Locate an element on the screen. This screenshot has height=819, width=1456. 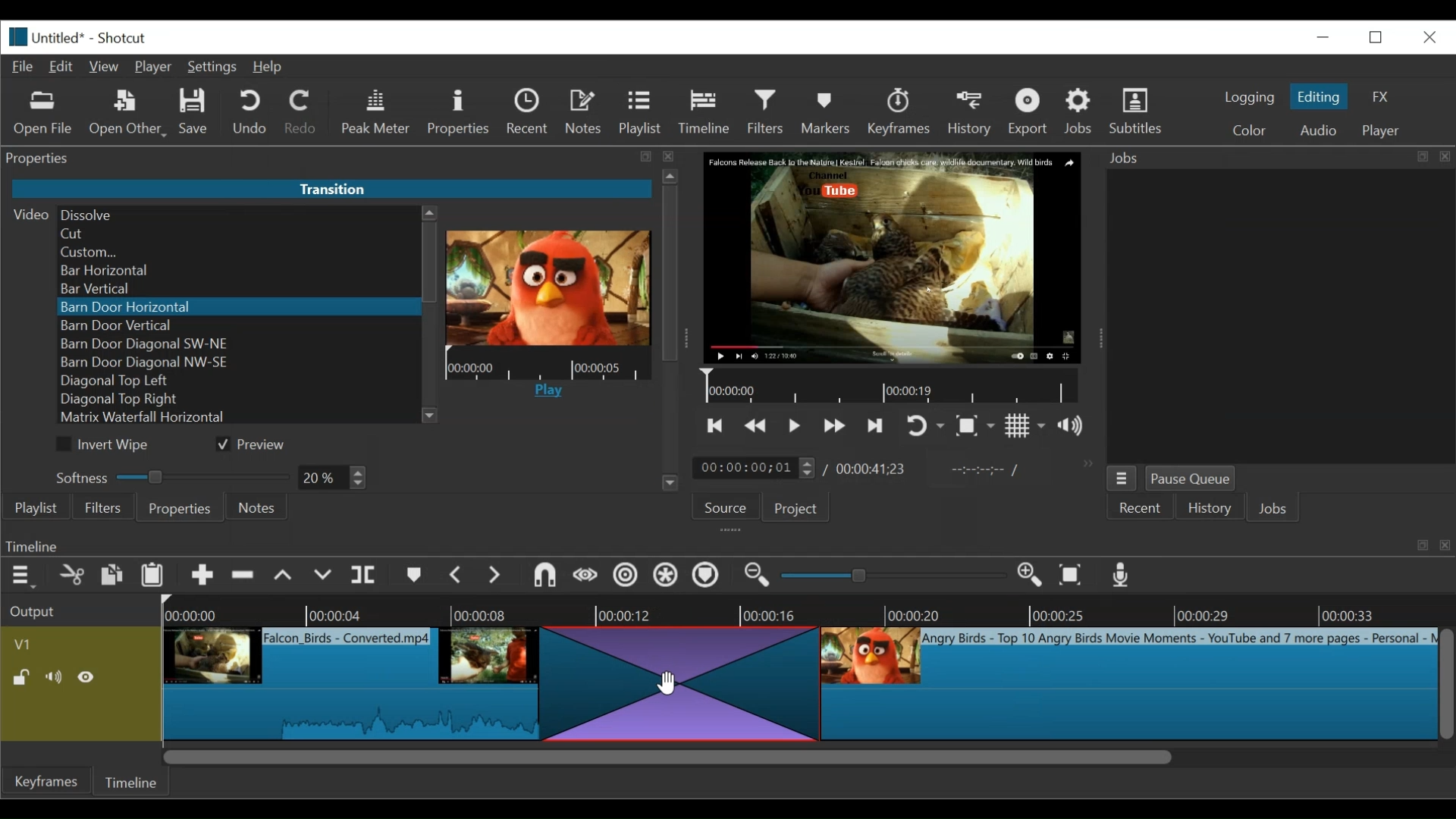
Toggle play or pause (space) is located at coordinates (795, 425).